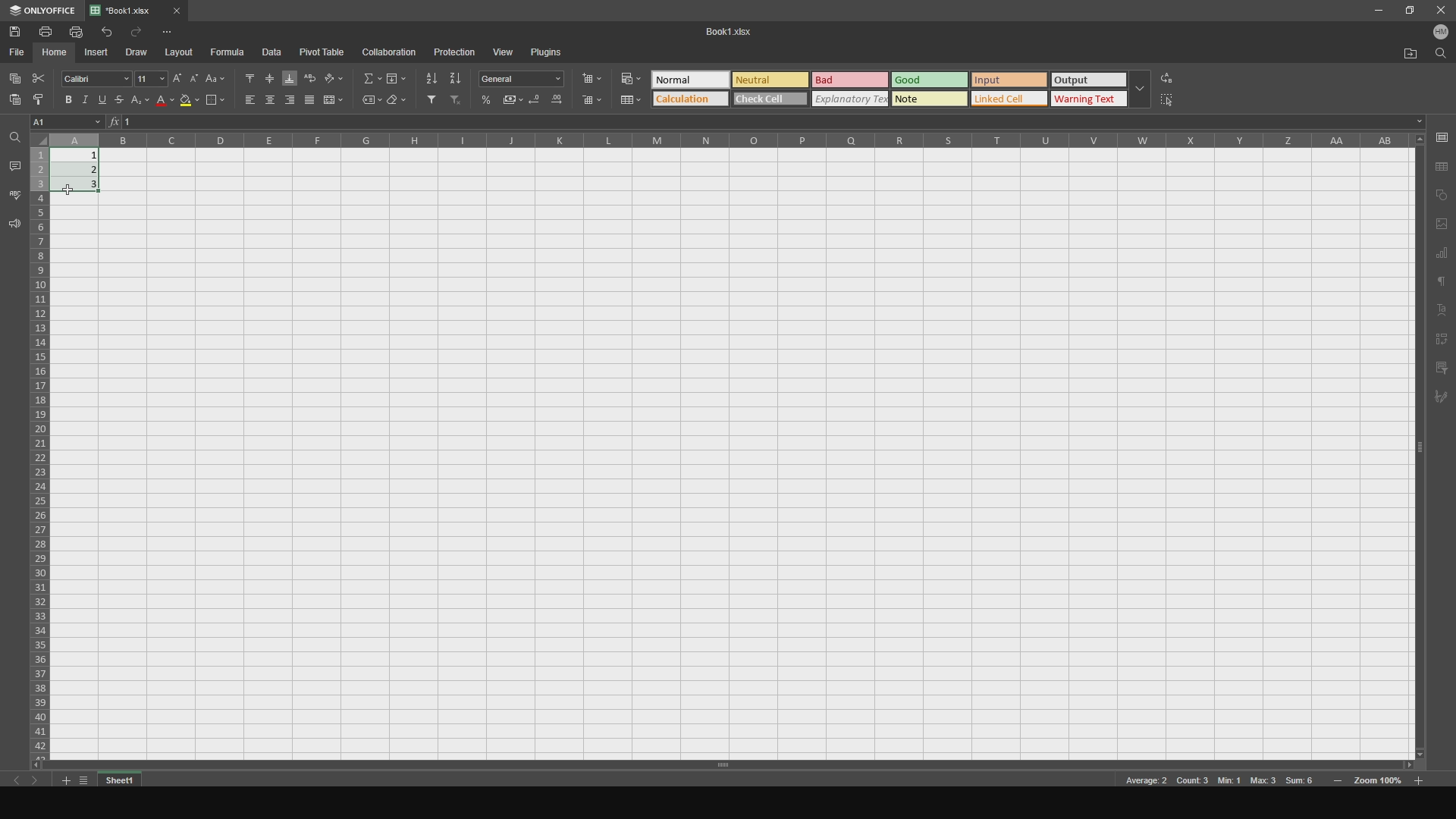  I want to click on save, so click(1442, 136).